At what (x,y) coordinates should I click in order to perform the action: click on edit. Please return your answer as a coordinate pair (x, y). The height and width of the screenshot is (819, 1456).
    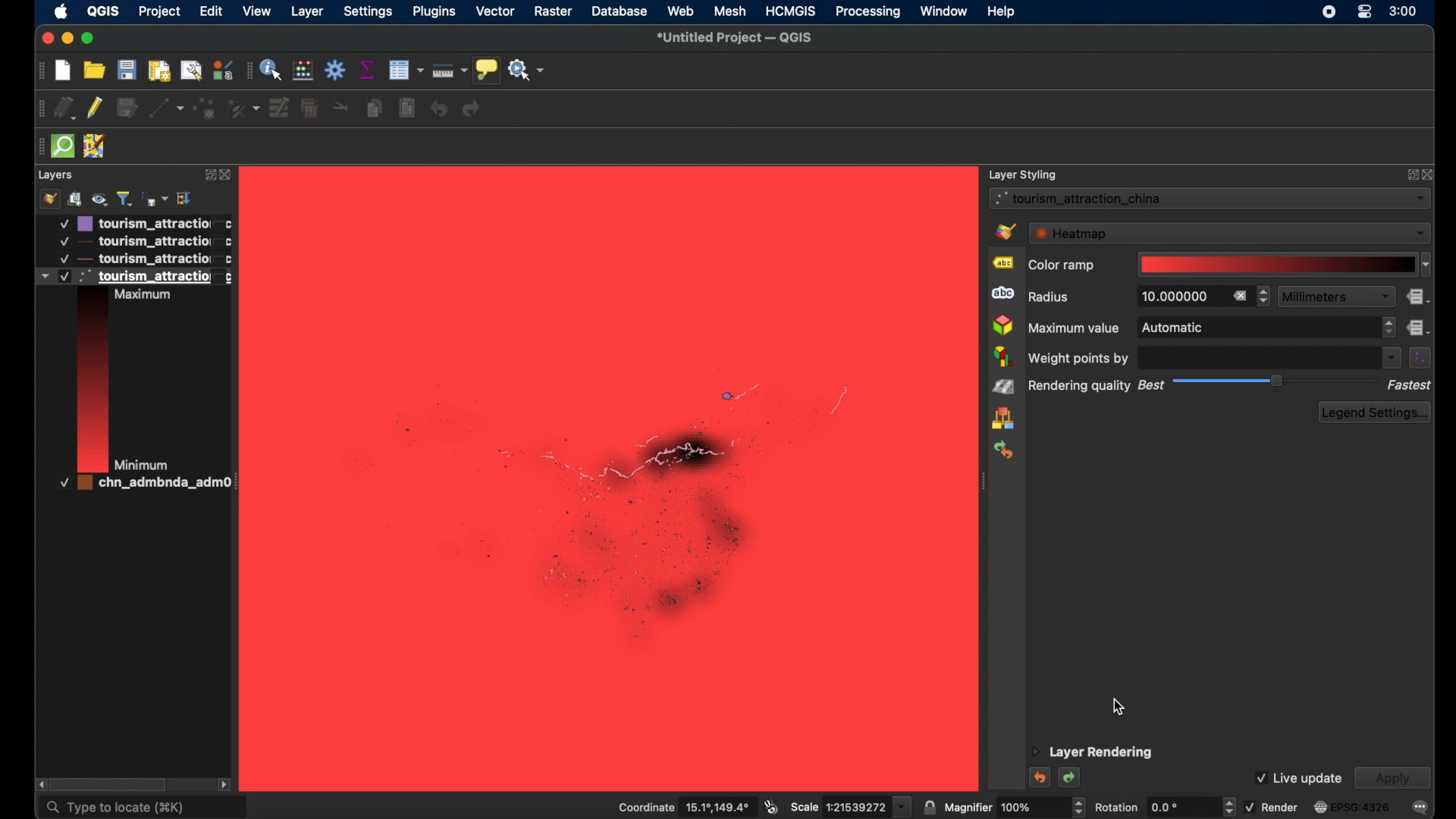
    Looking at the image, I should click on (209, 11).